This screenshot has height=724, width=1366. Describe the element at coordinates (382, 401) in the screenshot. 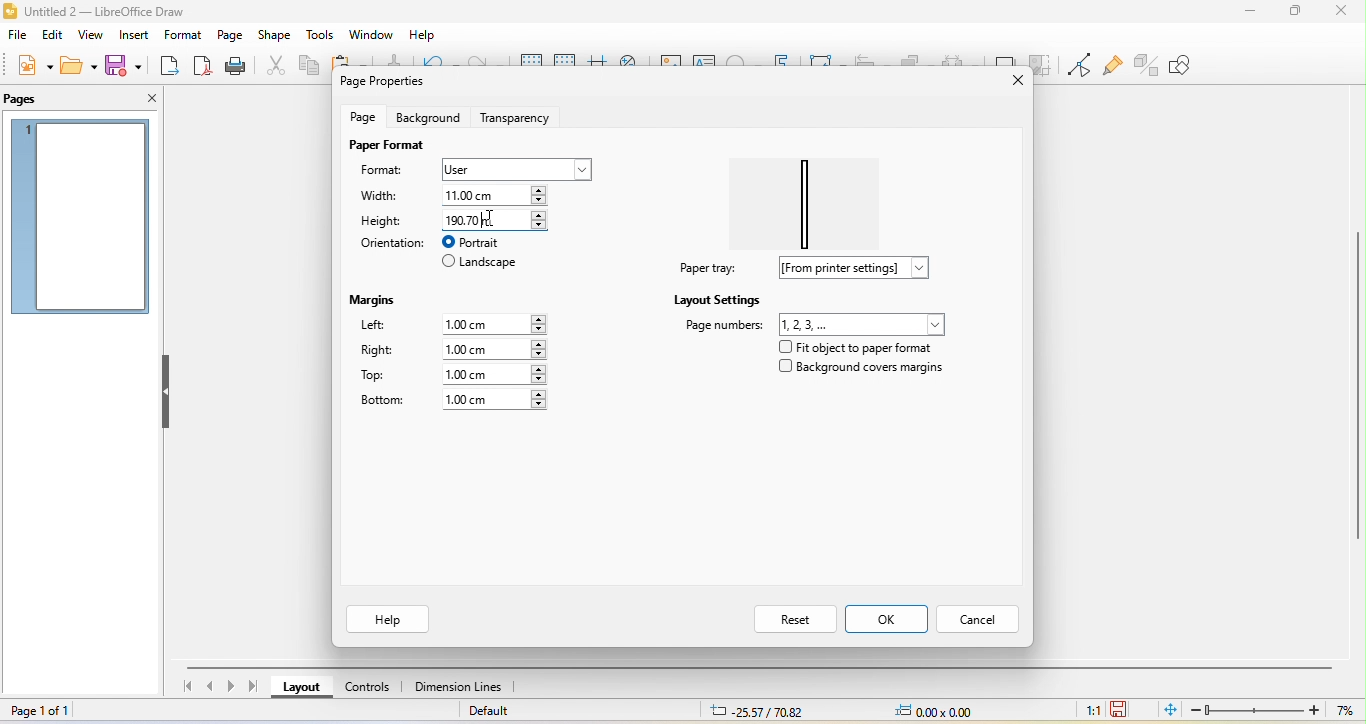

I see `bottom` at that location.